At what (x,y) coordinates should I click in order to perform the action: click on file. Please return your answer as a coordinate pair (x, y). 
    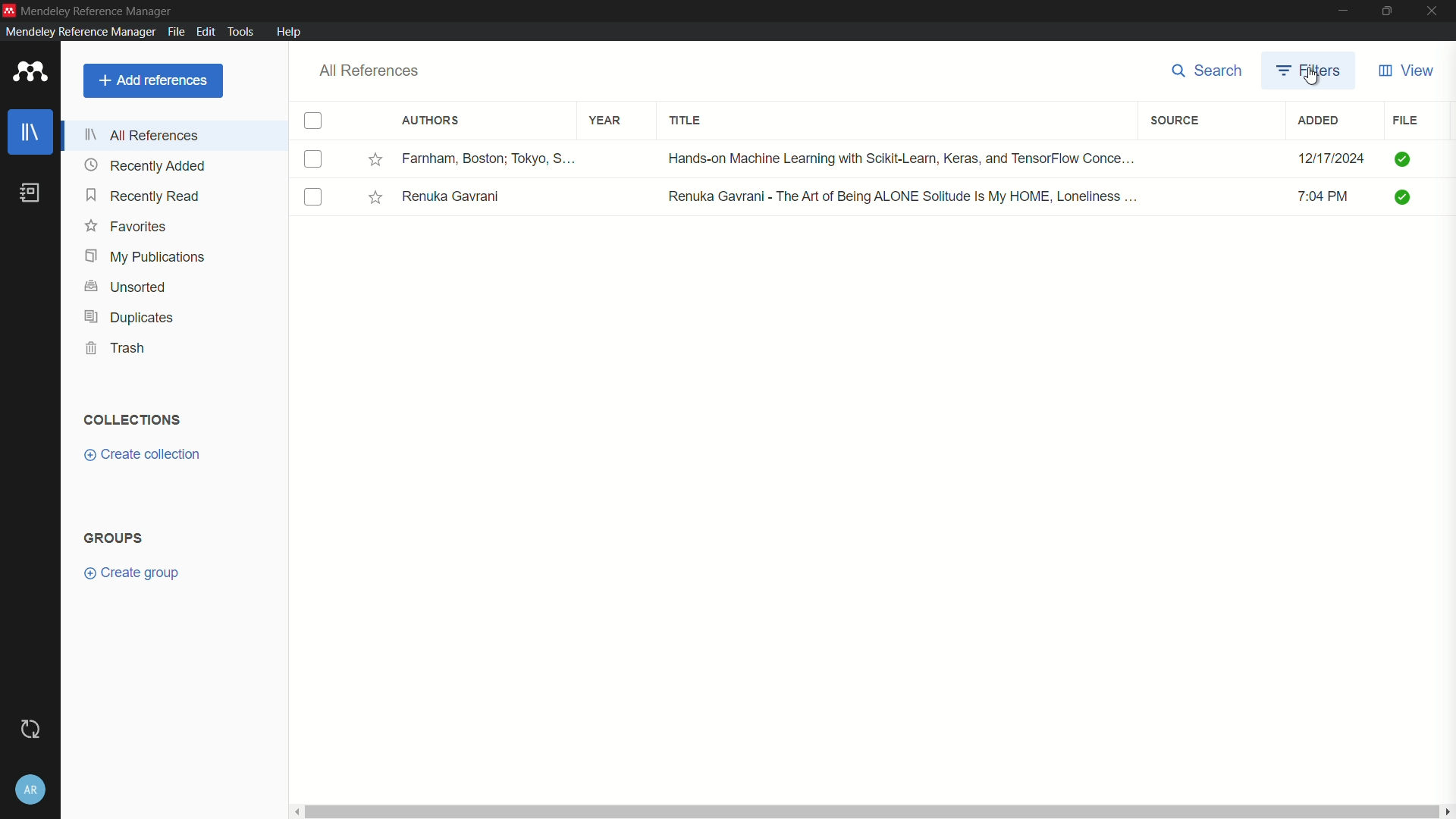
    Looking at the image, I should click on (1404, 121).